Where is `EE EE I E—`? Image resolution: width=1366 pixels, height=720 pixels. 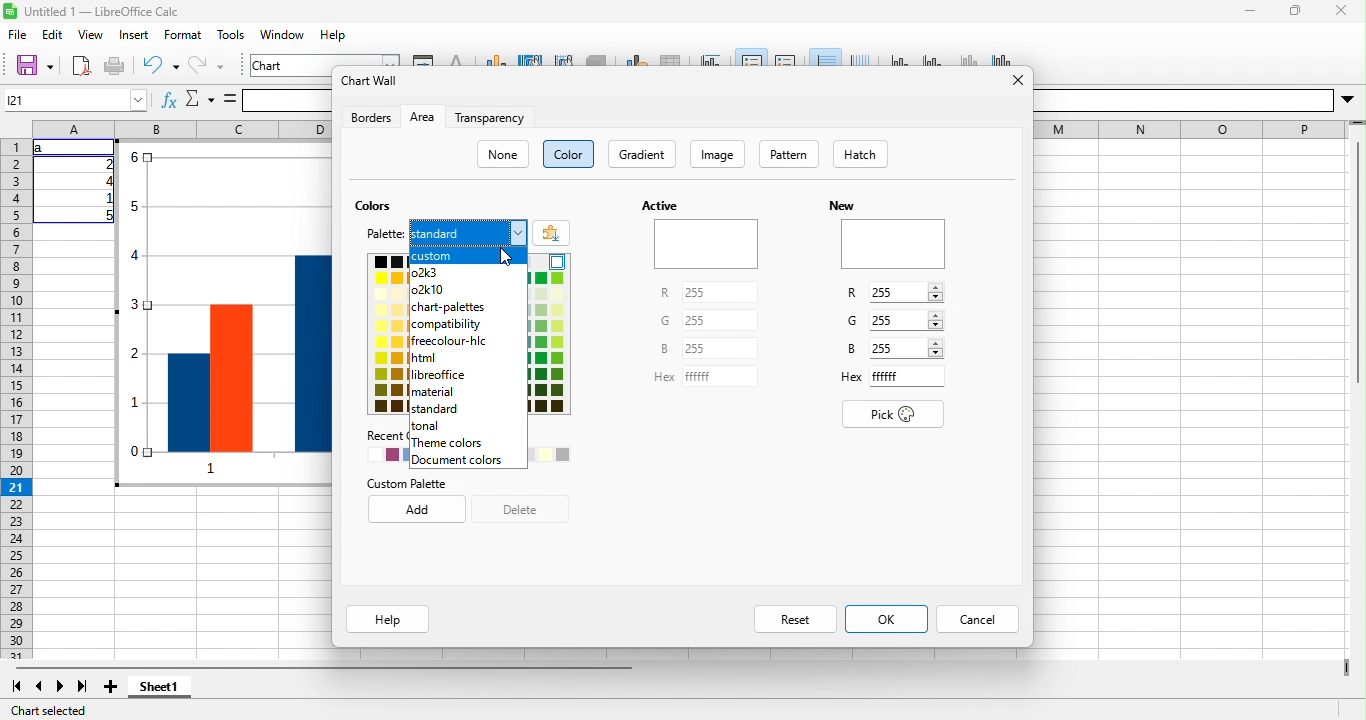 EE EE I E— is located at coordinates (1191, 130).